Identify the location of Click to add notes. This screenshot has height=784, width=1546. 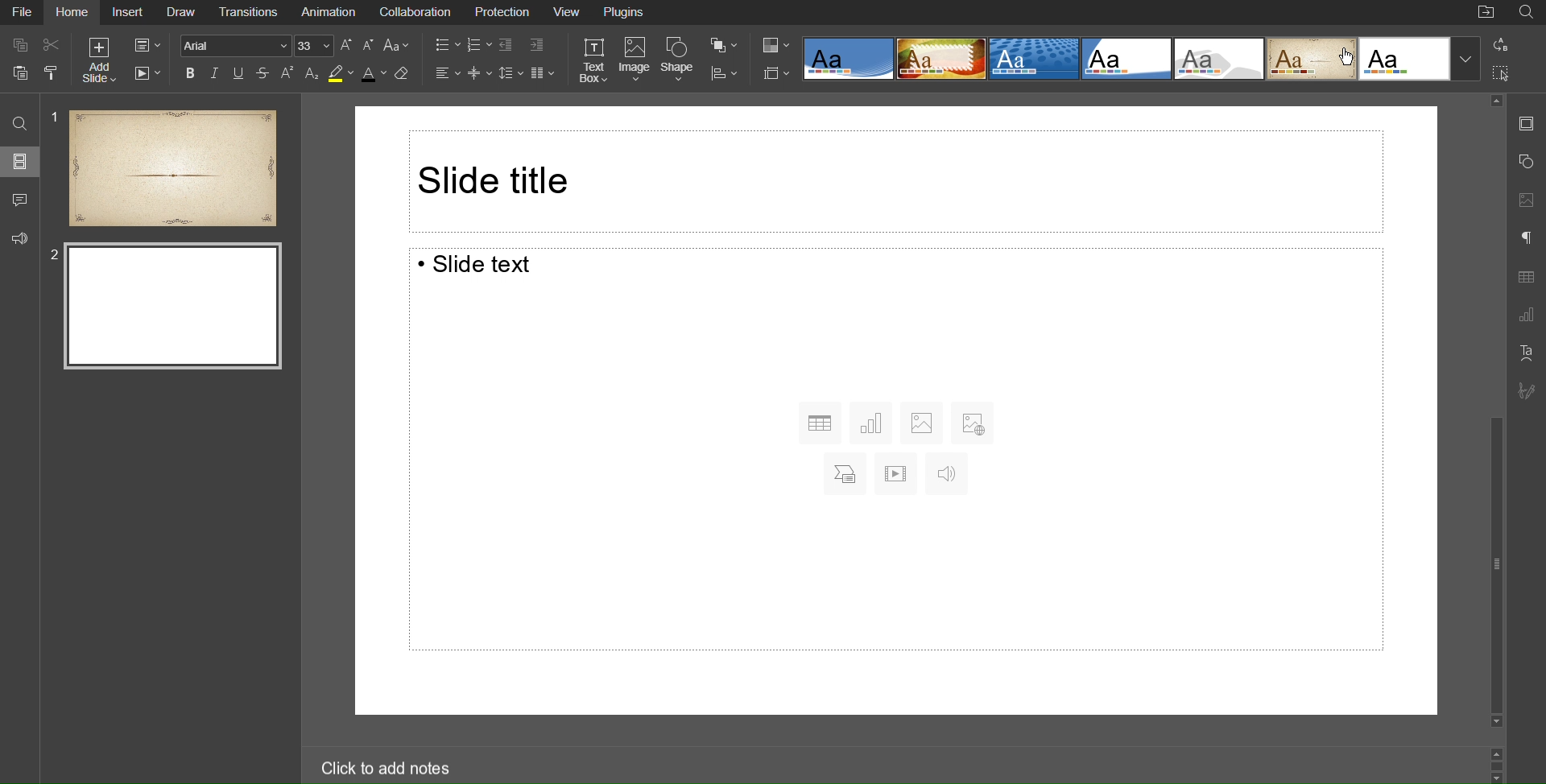
(387, 770).